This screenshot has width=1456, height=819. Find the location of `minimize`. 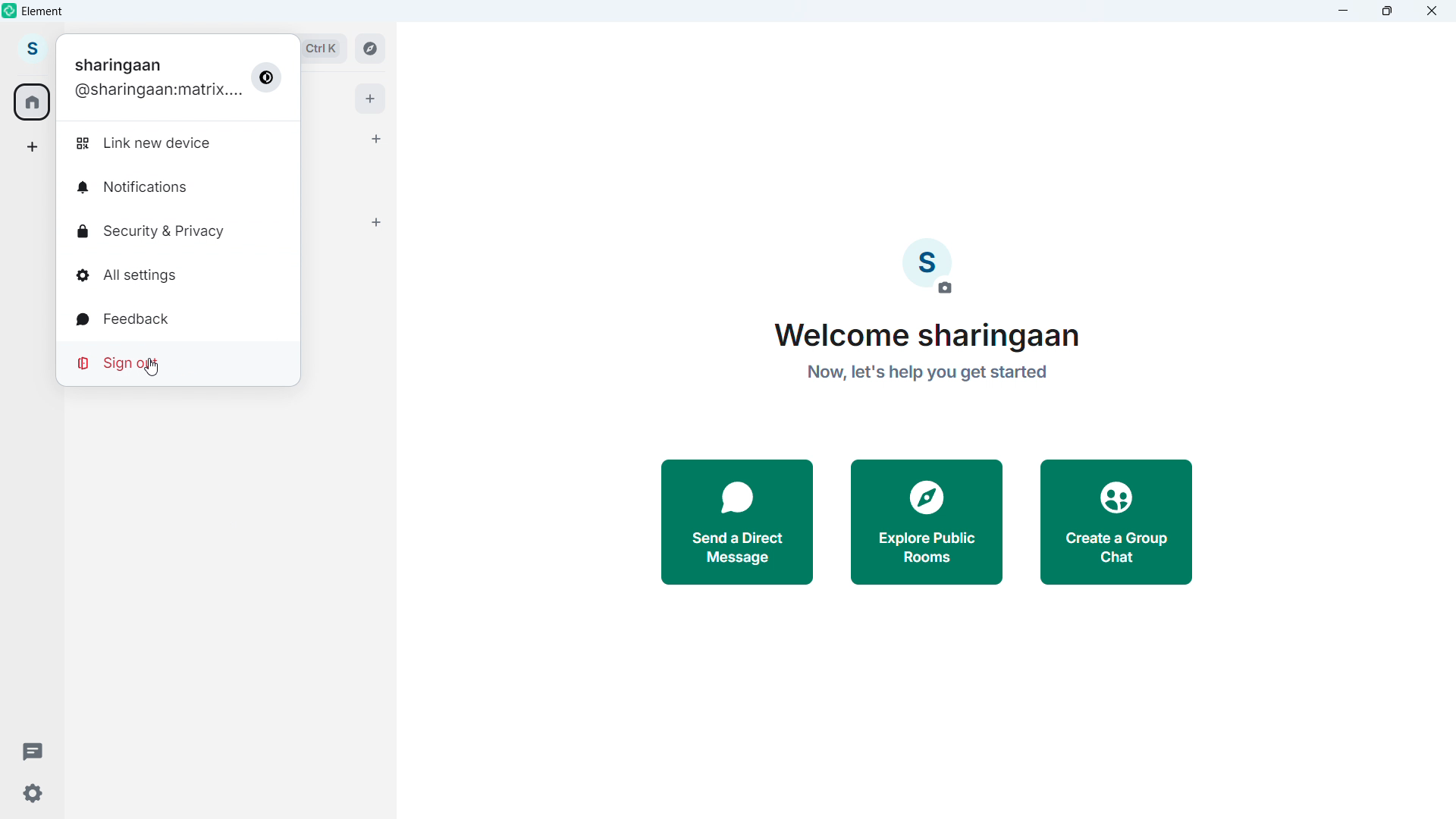

minimize is located at coordinates (1344, 11).